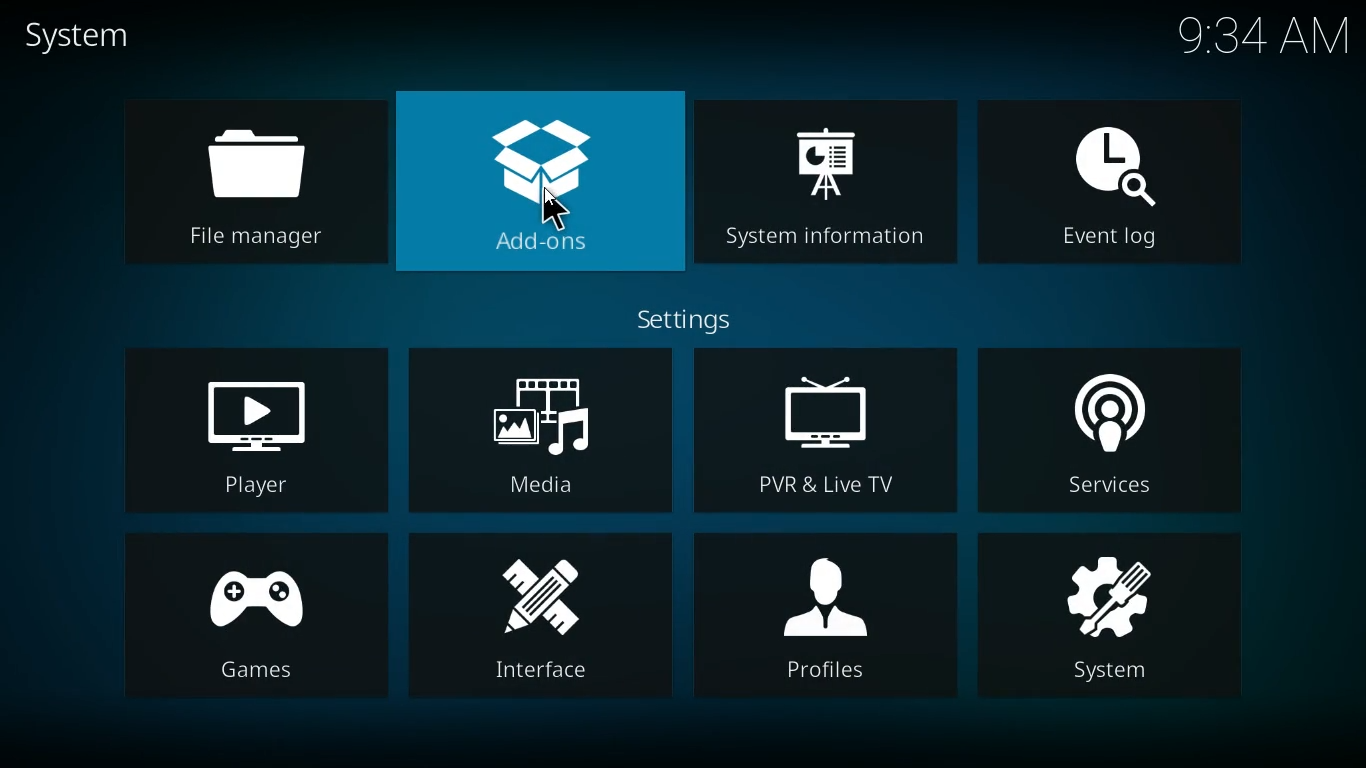  I want to click on system, so click(1112, 617).